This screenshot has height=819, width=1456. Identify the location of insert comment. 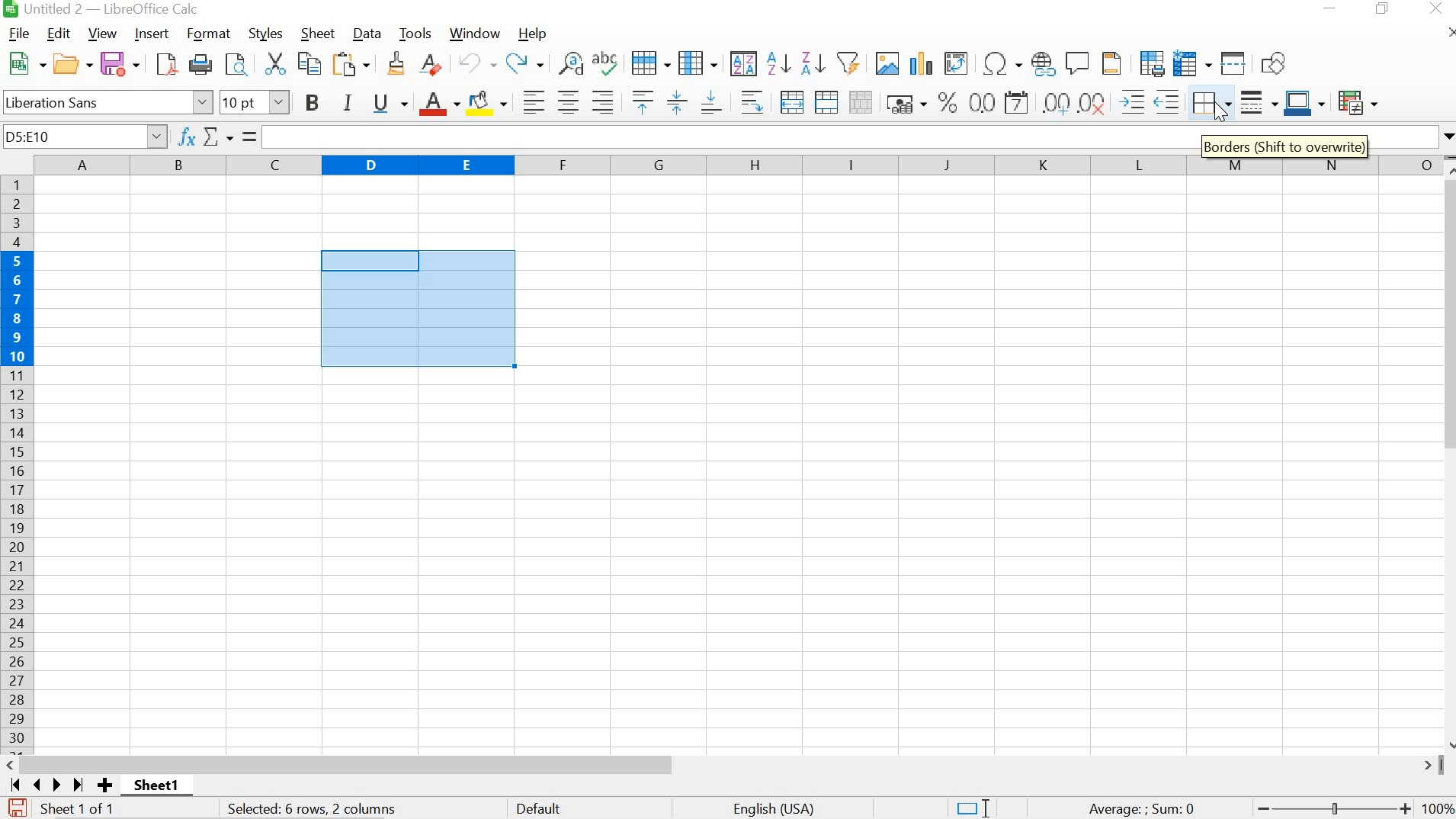
(1079, 63).